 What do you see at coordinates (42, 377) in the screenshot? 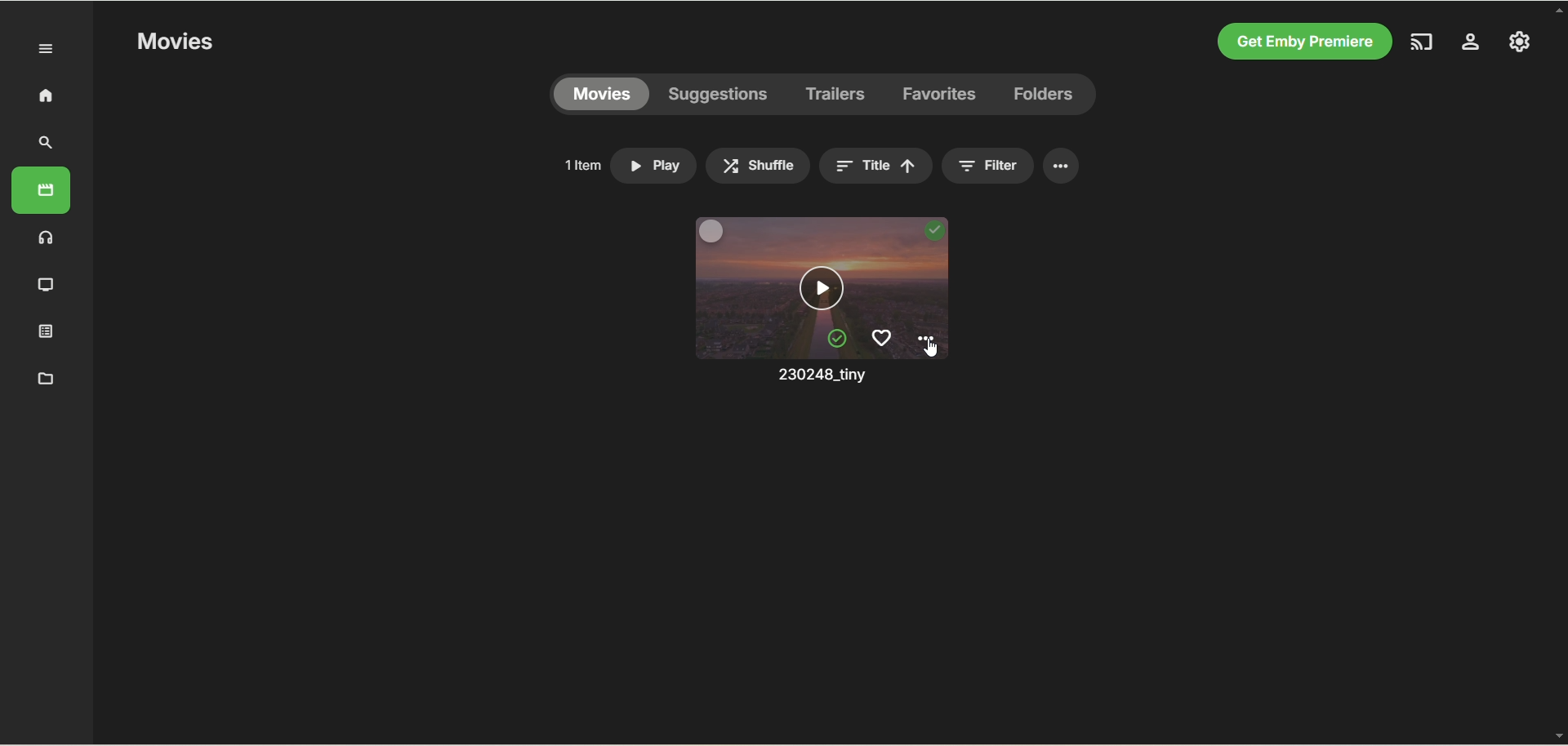
I see `metadata manager` at bounding box center [42, 377].